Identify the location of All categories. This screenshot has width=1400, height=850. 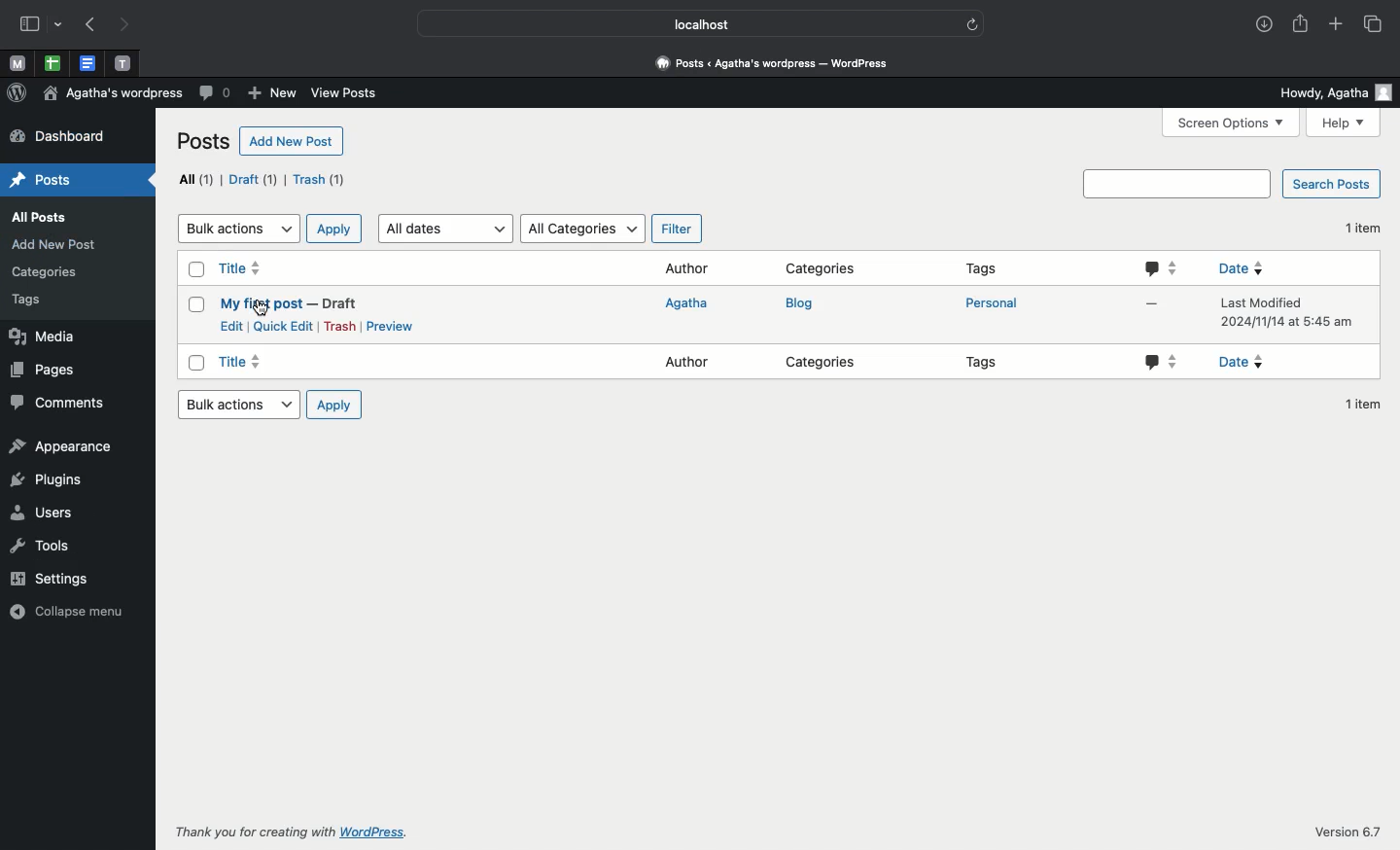
(581, 228).